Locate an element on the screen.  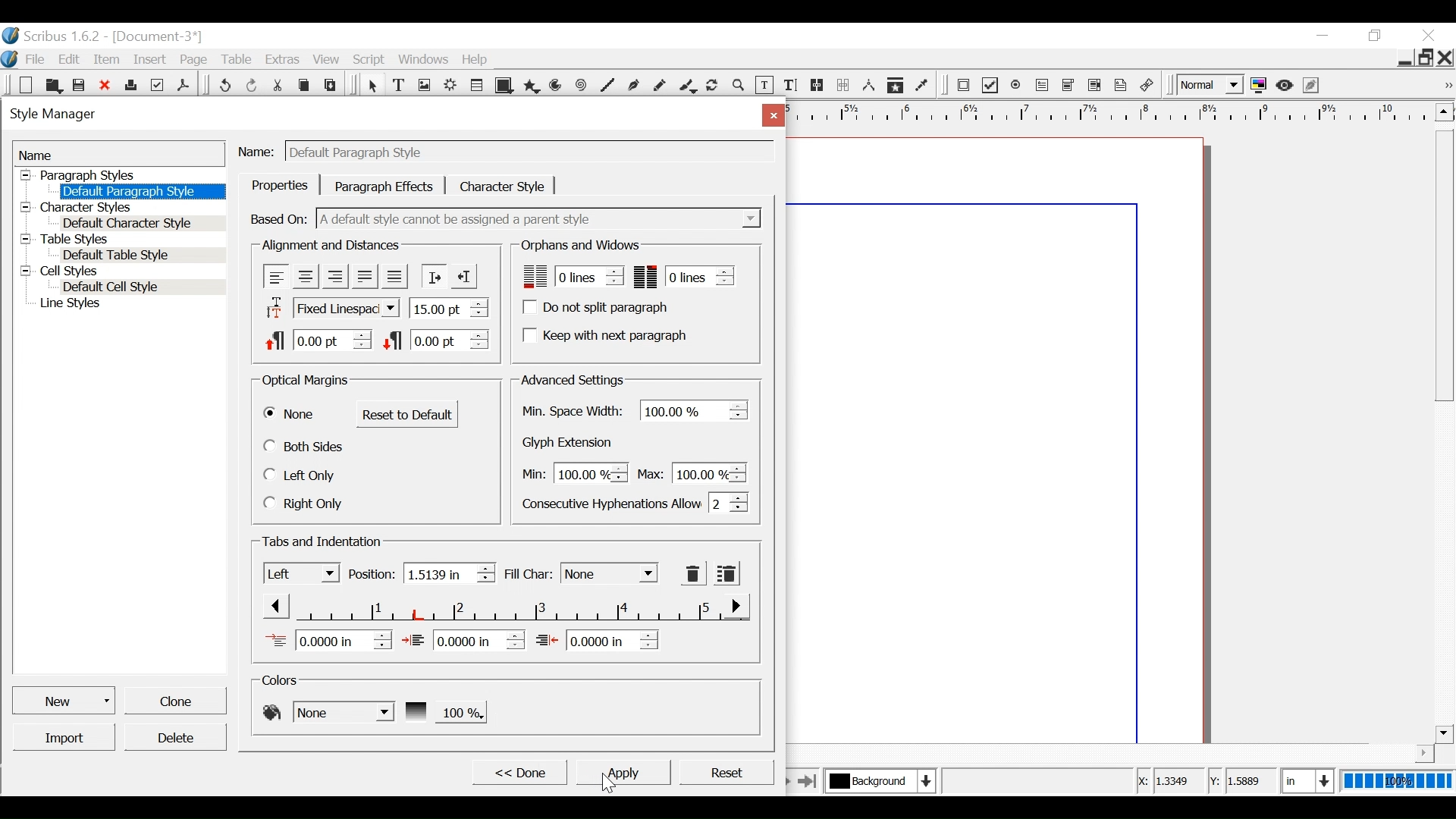
Zoom is located at coordinates (739, 87).